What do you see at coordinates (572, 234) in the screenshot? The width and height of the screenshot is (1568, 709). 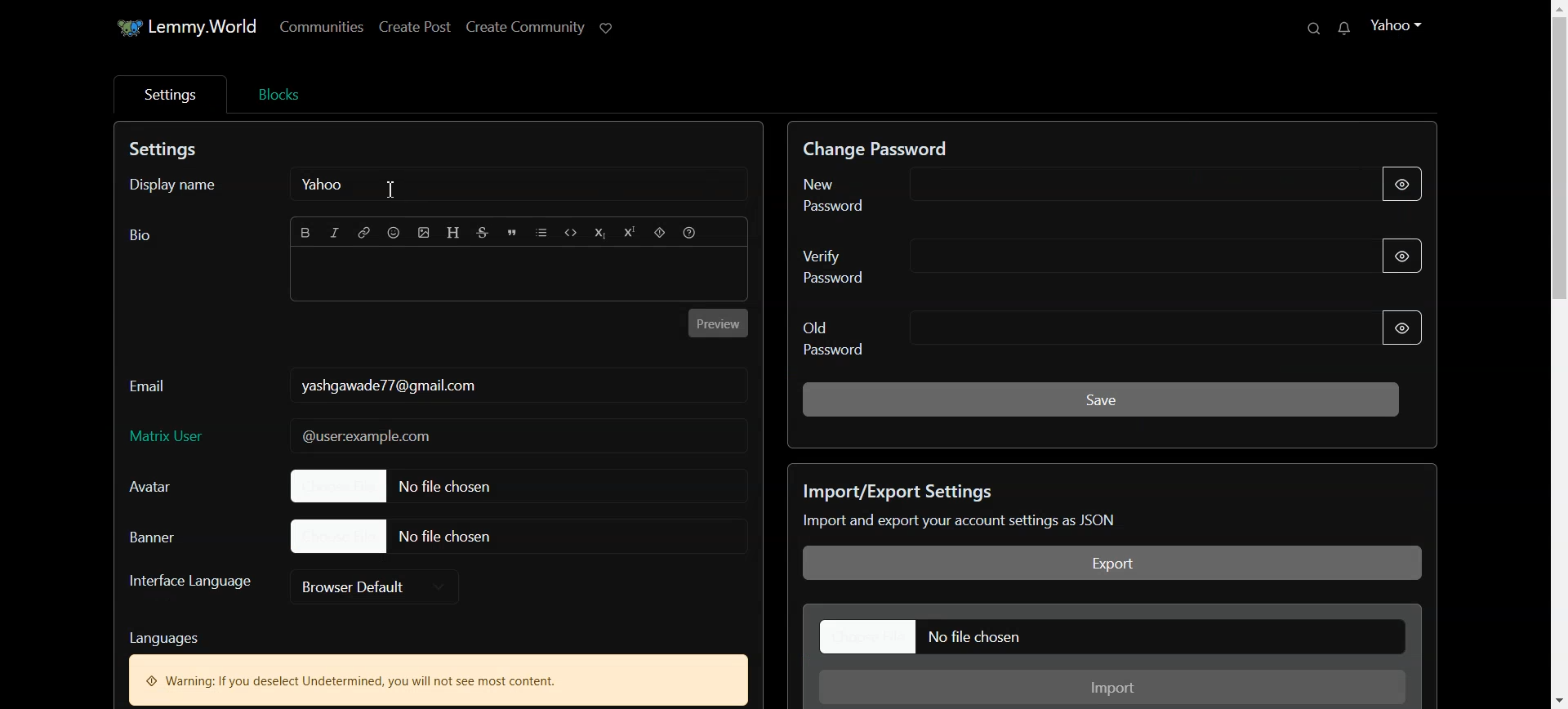 I see `Code` at bounding box center [572, 234].